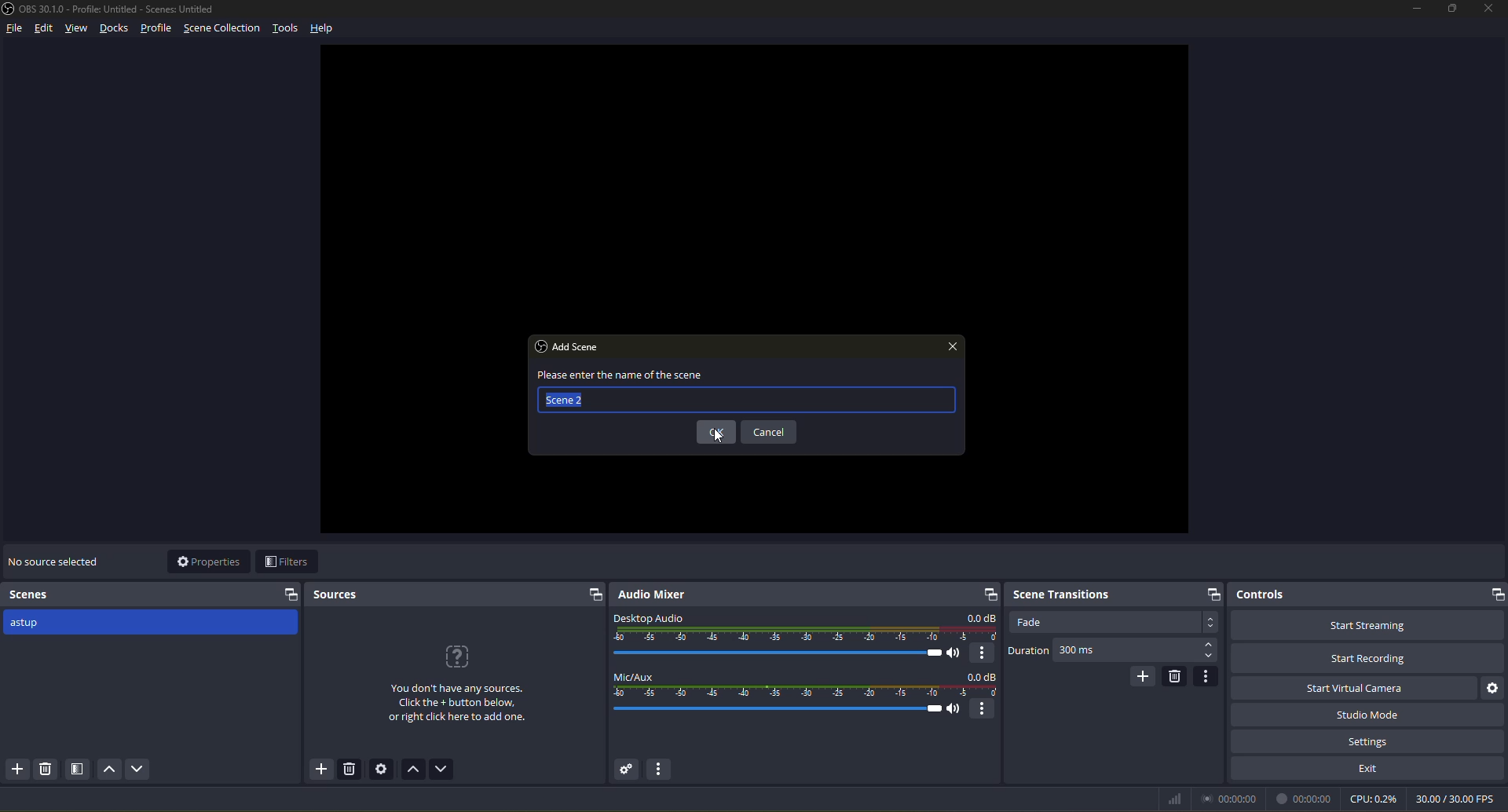 The image size is (1508, 812). Describe the element at coordinates (981, 676) in the screenshot. I see `db` at that location.